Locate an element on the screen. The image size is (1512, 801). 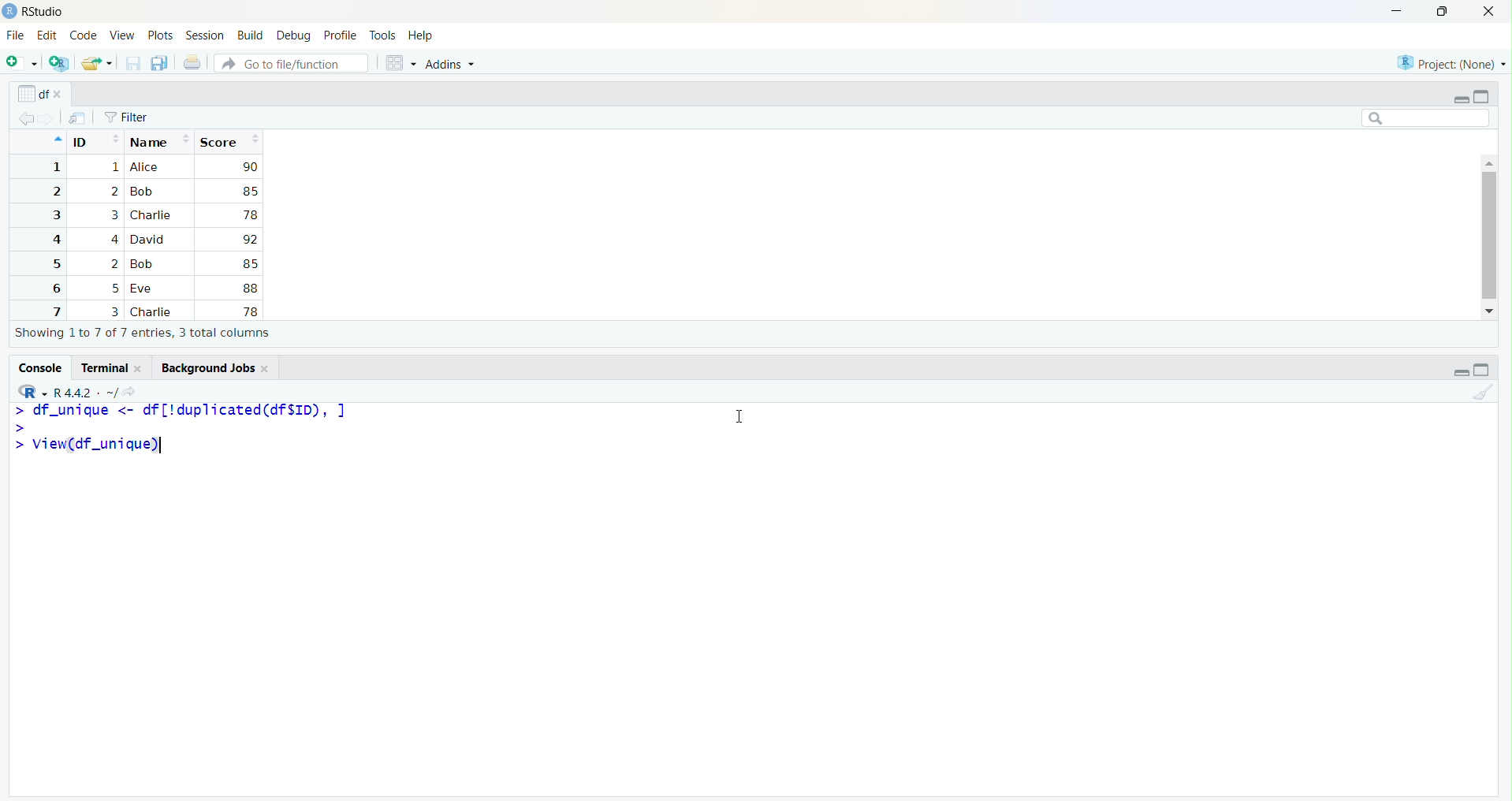
clear is located at coordinates (1482, 391).